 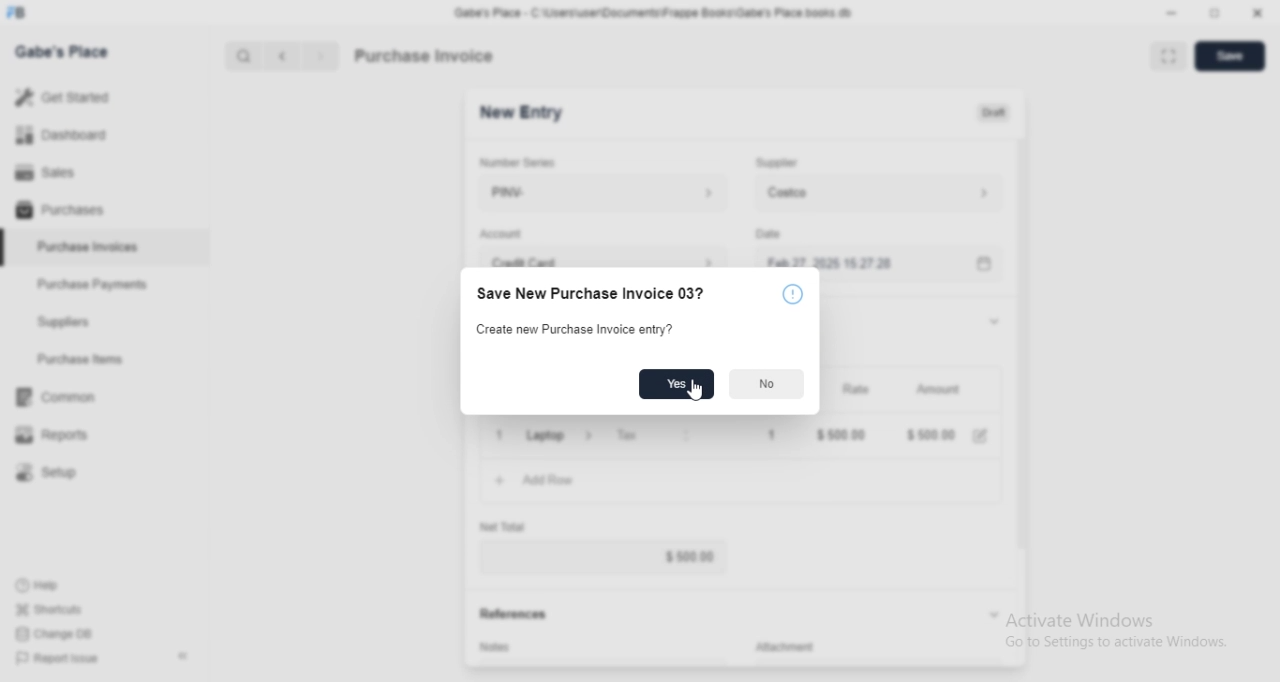 I want to click on Toggle between form and full width, so click(x=1169, y=56).